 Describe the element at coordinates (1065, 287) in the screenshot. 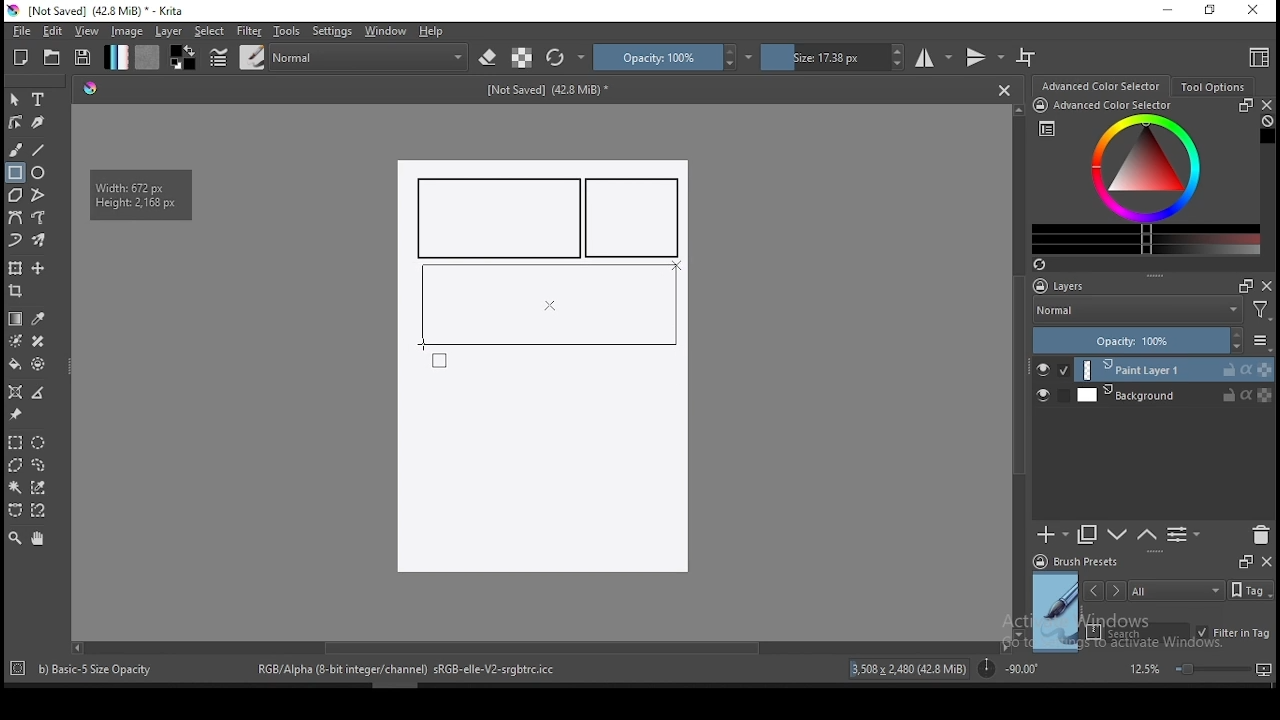

I see `layers` at that location.